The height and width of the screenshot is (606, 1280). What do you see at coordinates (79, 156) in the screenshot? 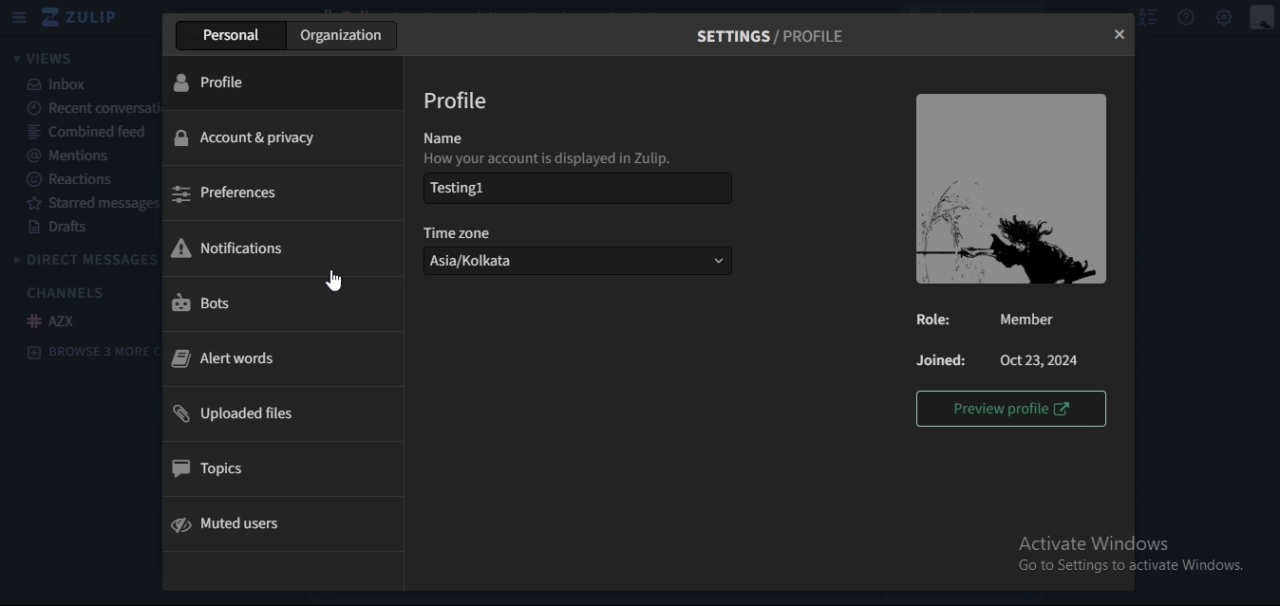
I see `mentions` at bounding box center [79, 156].